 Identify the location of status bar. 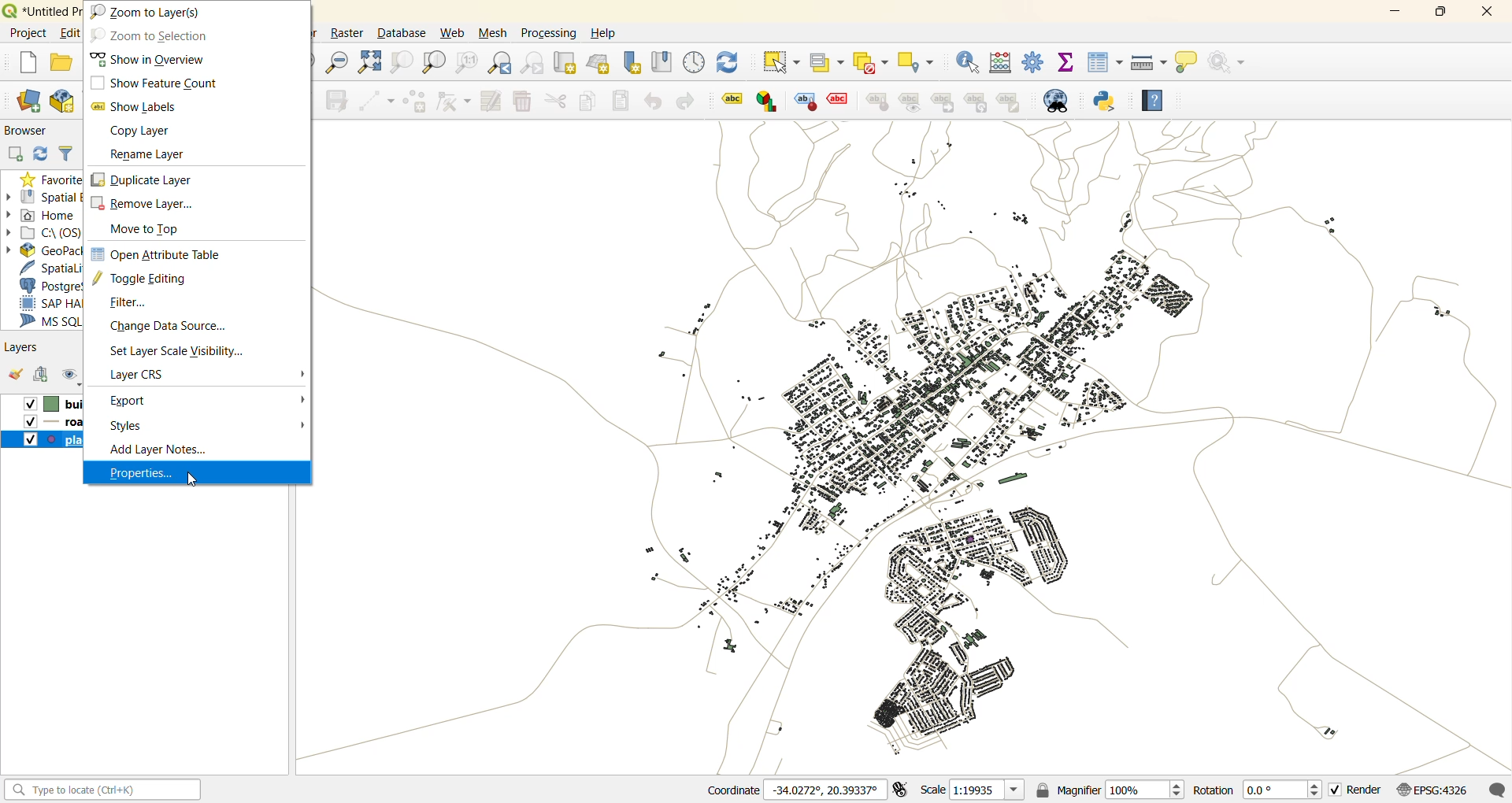
(100, 789).